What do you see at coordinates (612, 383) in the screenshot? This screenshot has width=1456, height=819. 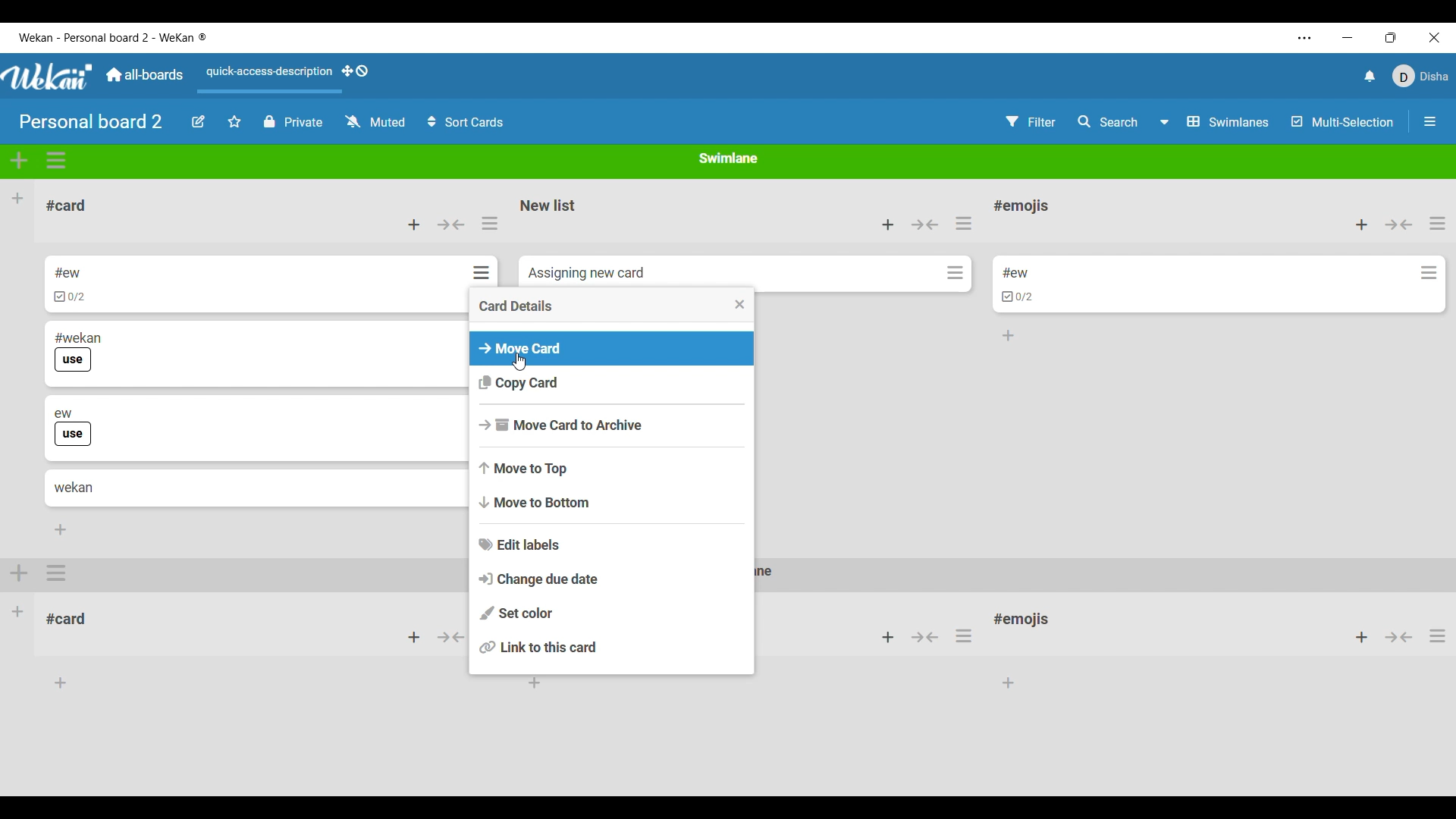 I see `Copy card` at bounding box center [612, 383].